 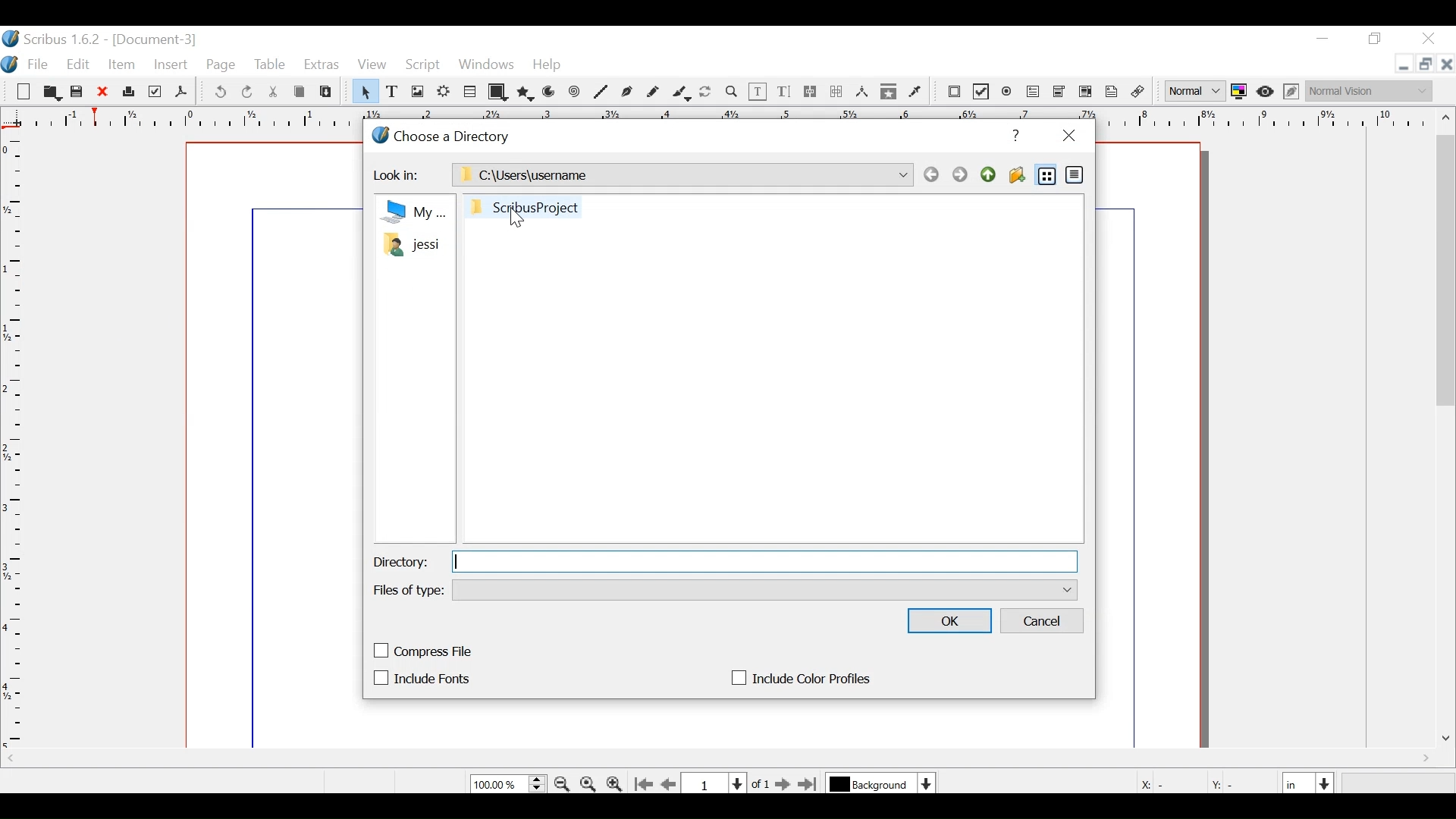 What do you see at coordinates (372, 65) in the screenshot?
I see `View` at bounding box center [372, 65].